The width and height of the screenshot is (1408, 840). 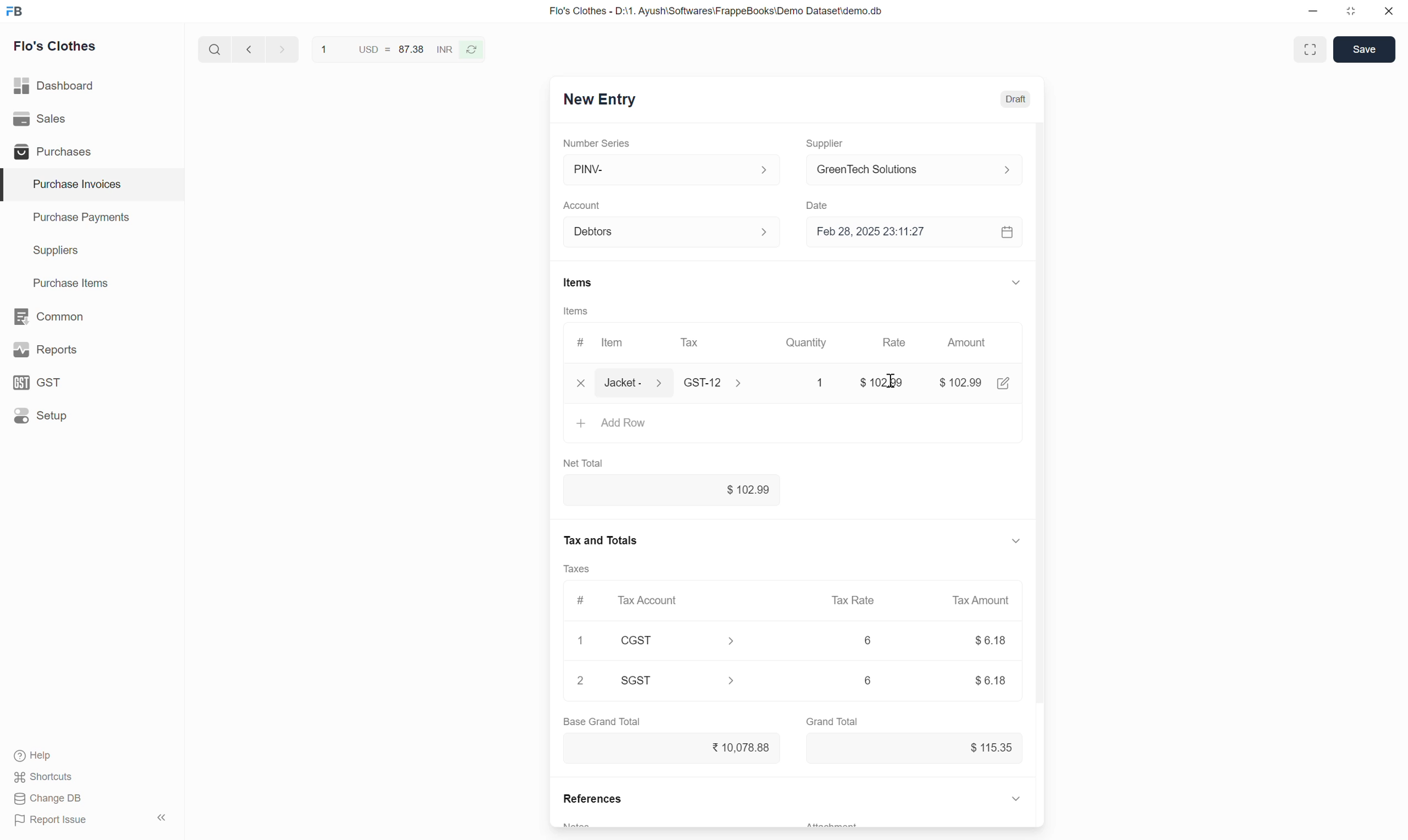 What do you see at coordinates (821, 205) in the screenshot?
I see `Date` at bounding box center [821, 205].